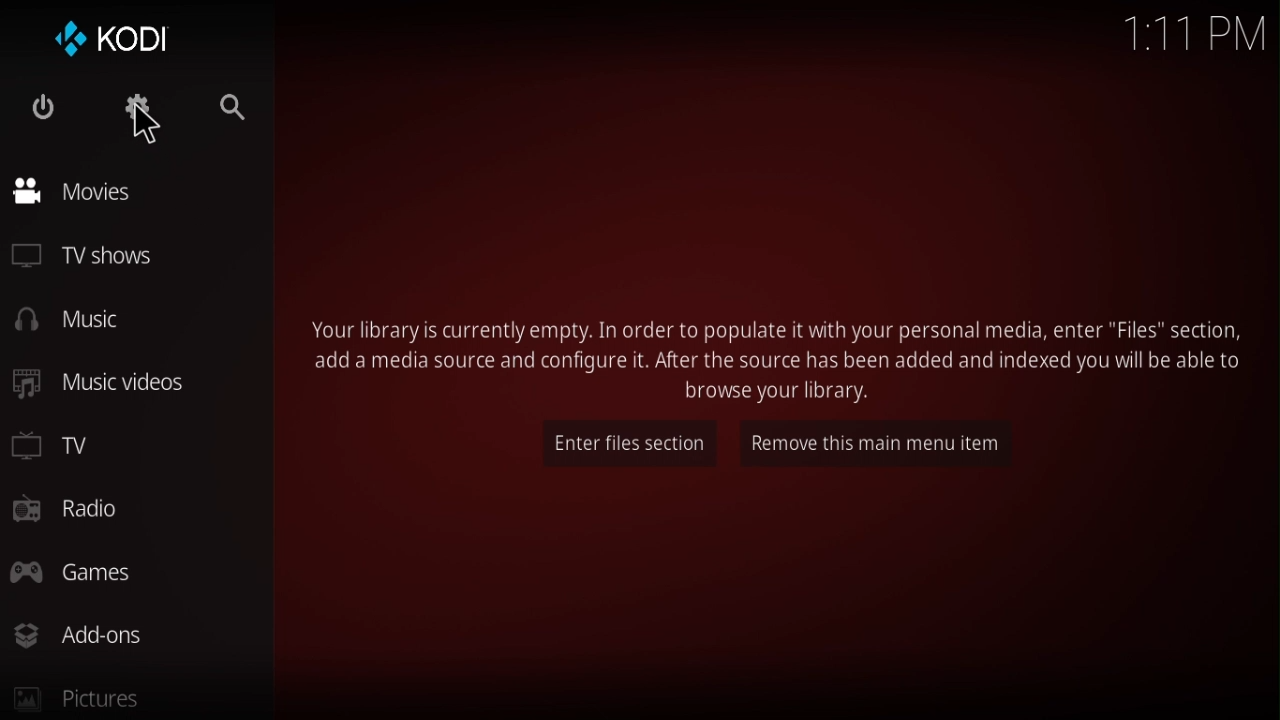  What do you see at coordinates (80, 193) in the screenshot?
I see `movies` at bounding box center [80, 193].